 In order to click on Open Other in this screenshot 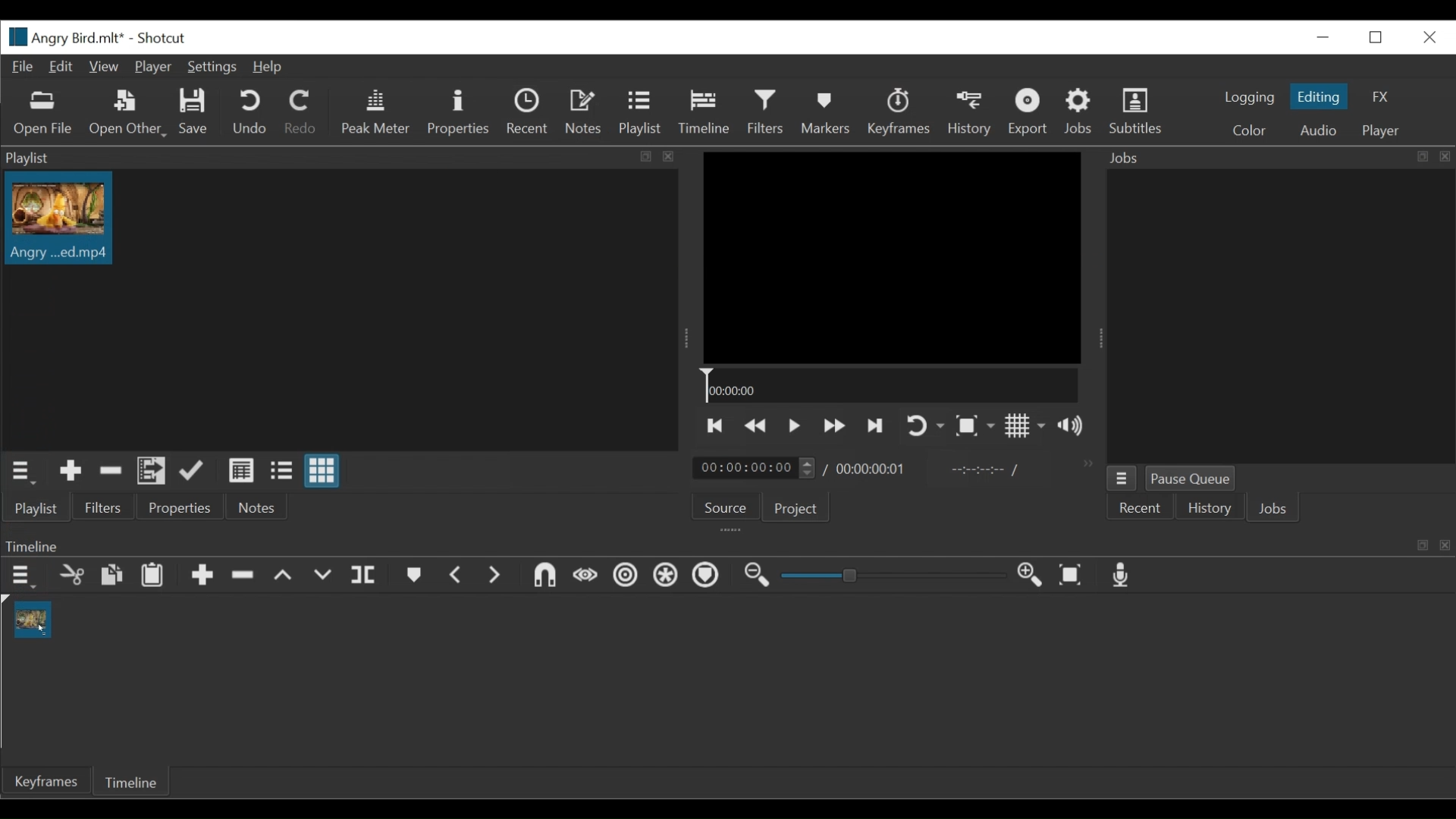, I will do `click(127, 112)`.